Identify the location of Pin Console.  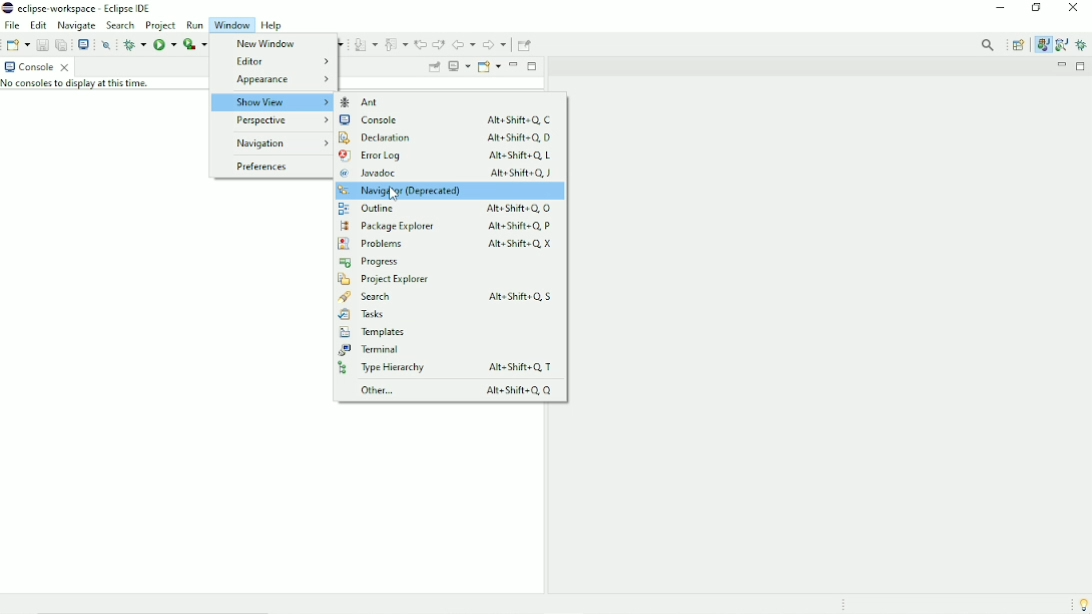
(433, 68).